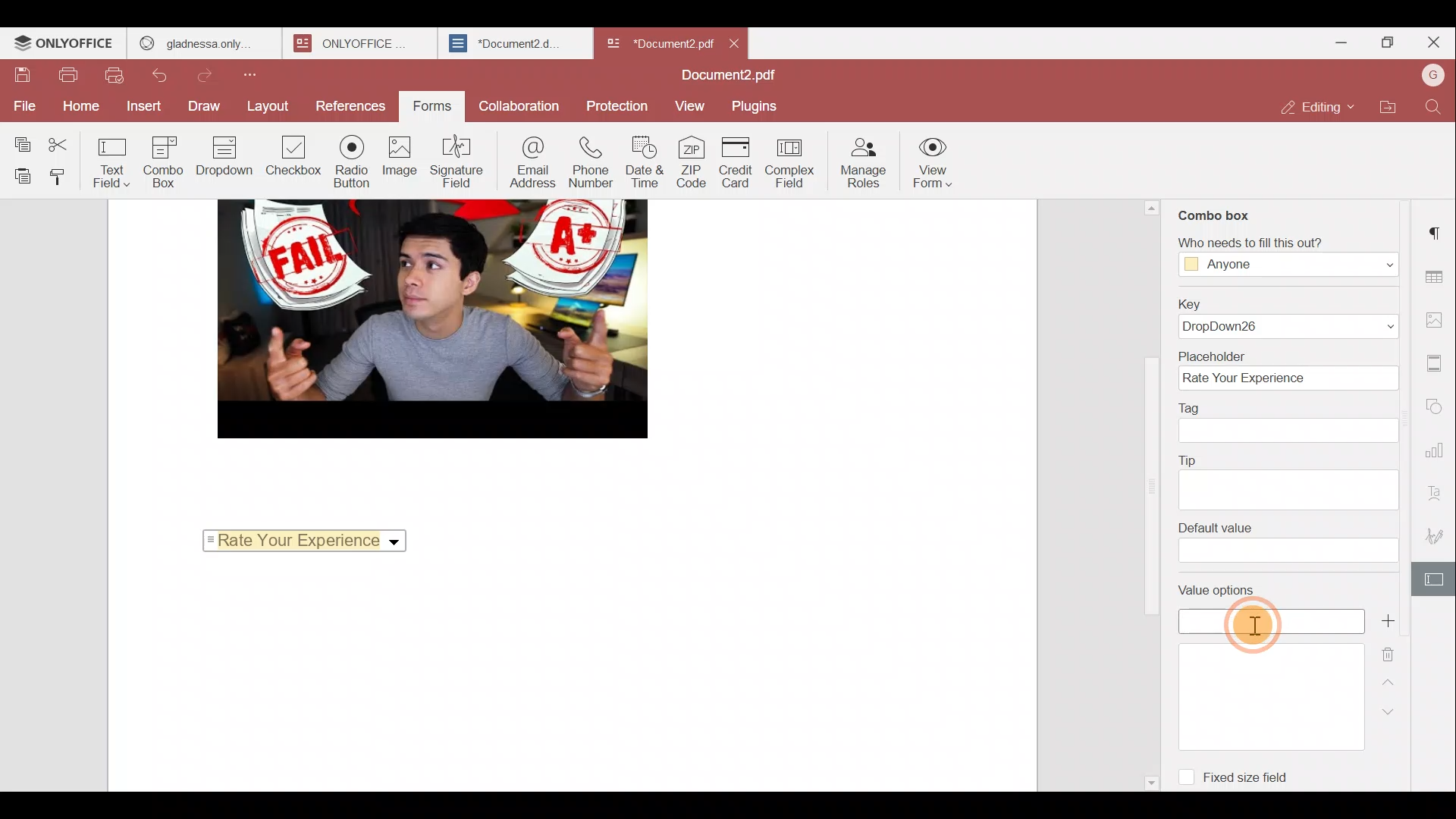 This screenshot has width=1456, height=819. Describe the element at coordinates (1436, 364) in the screenshot. I see `Header & footer settings` at that location.